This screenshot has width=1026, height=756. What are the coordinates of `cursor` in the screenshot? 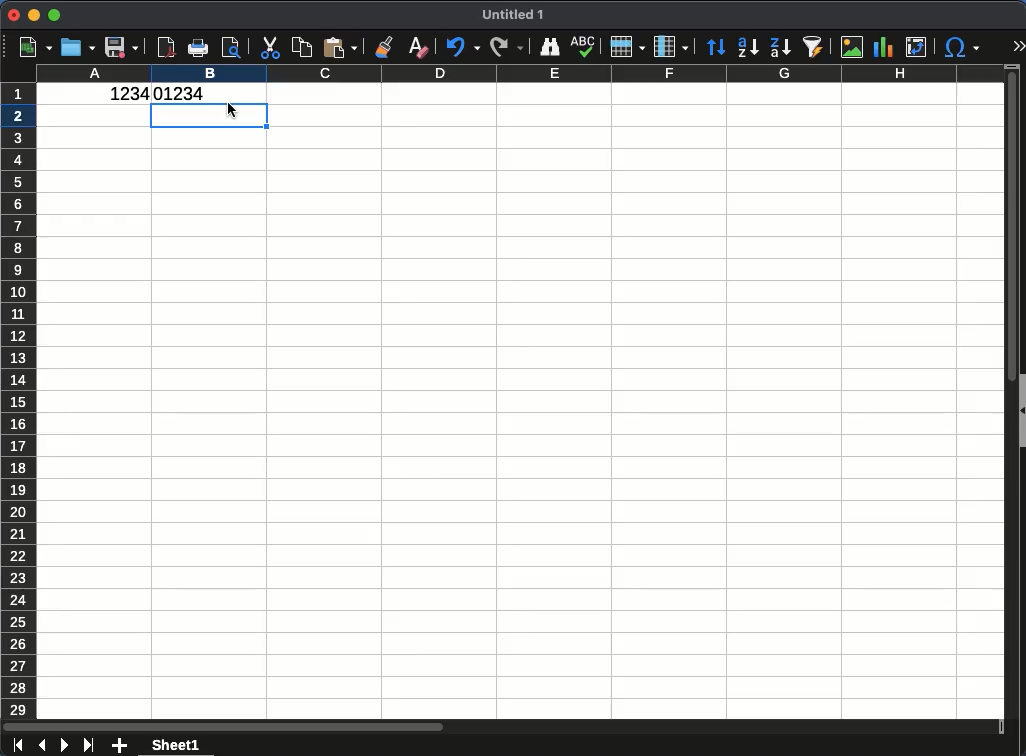 It's located at (235, 119).